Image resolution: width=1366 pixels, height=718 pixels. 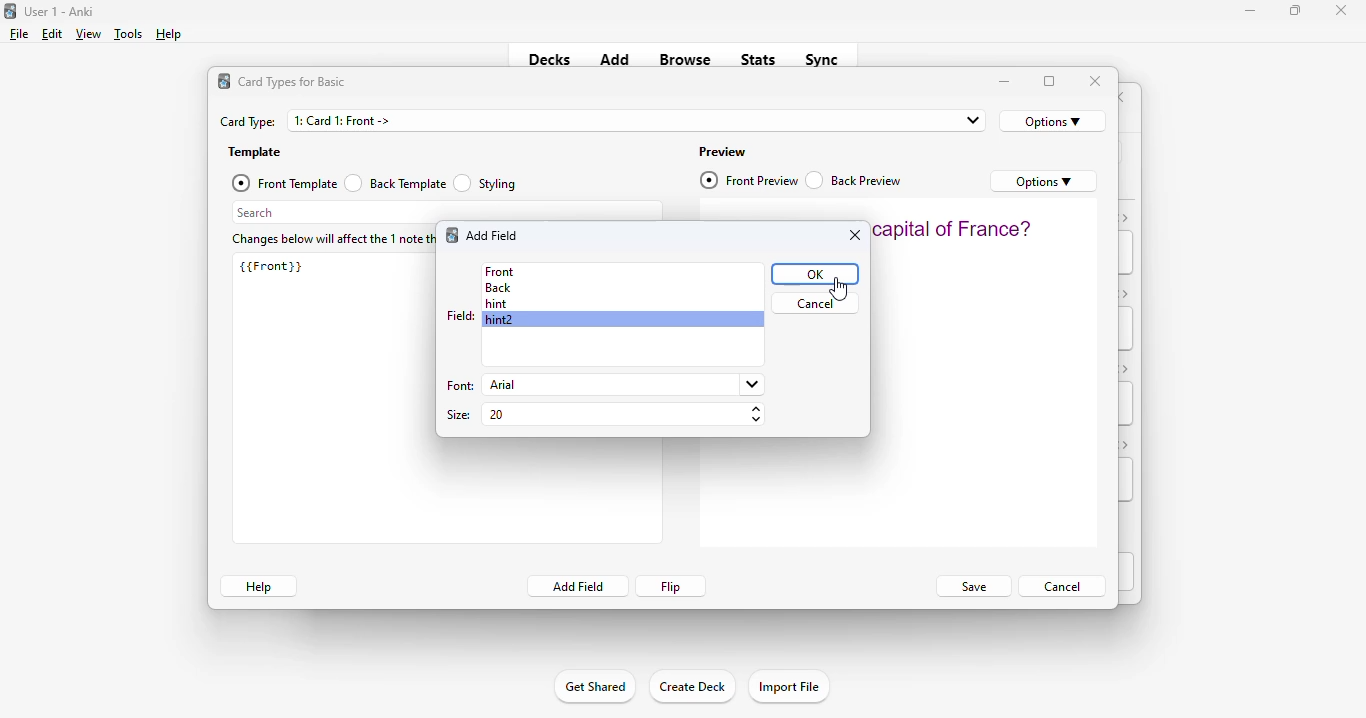 What do you see at coordinates (1053, 121) in the screenshot?
I see `options` at bounding box center [1053, 121].